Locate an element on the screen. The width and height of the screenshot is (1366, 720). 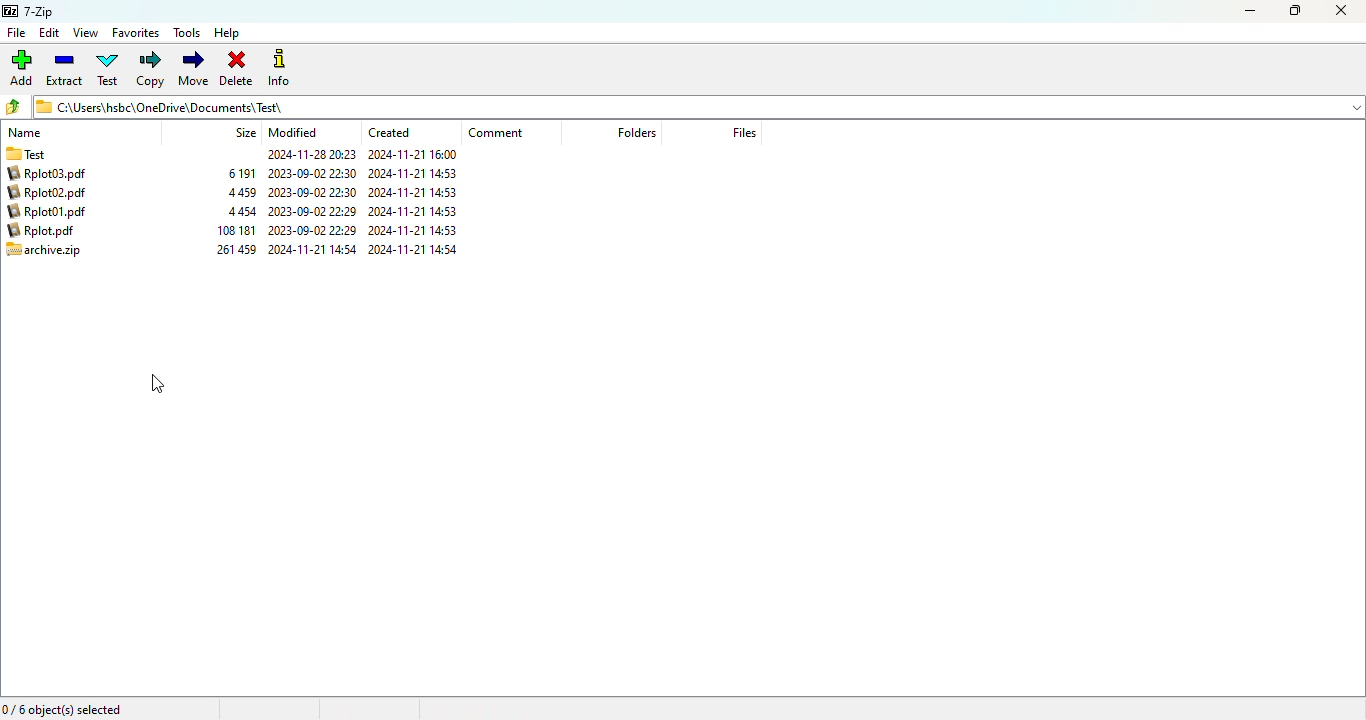
view is located at coordinates (85, 32).